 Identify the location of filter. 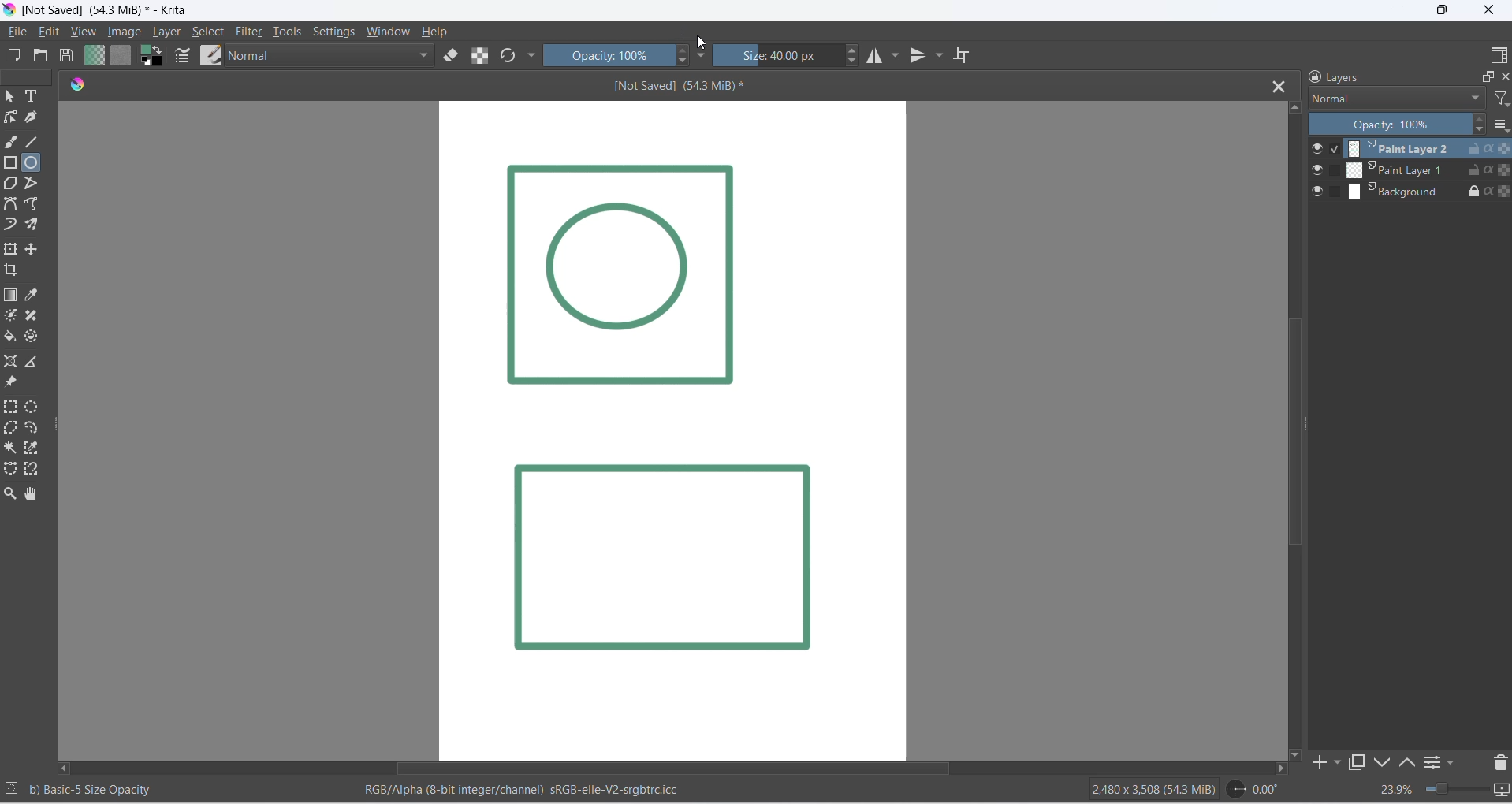
(1503, 99).